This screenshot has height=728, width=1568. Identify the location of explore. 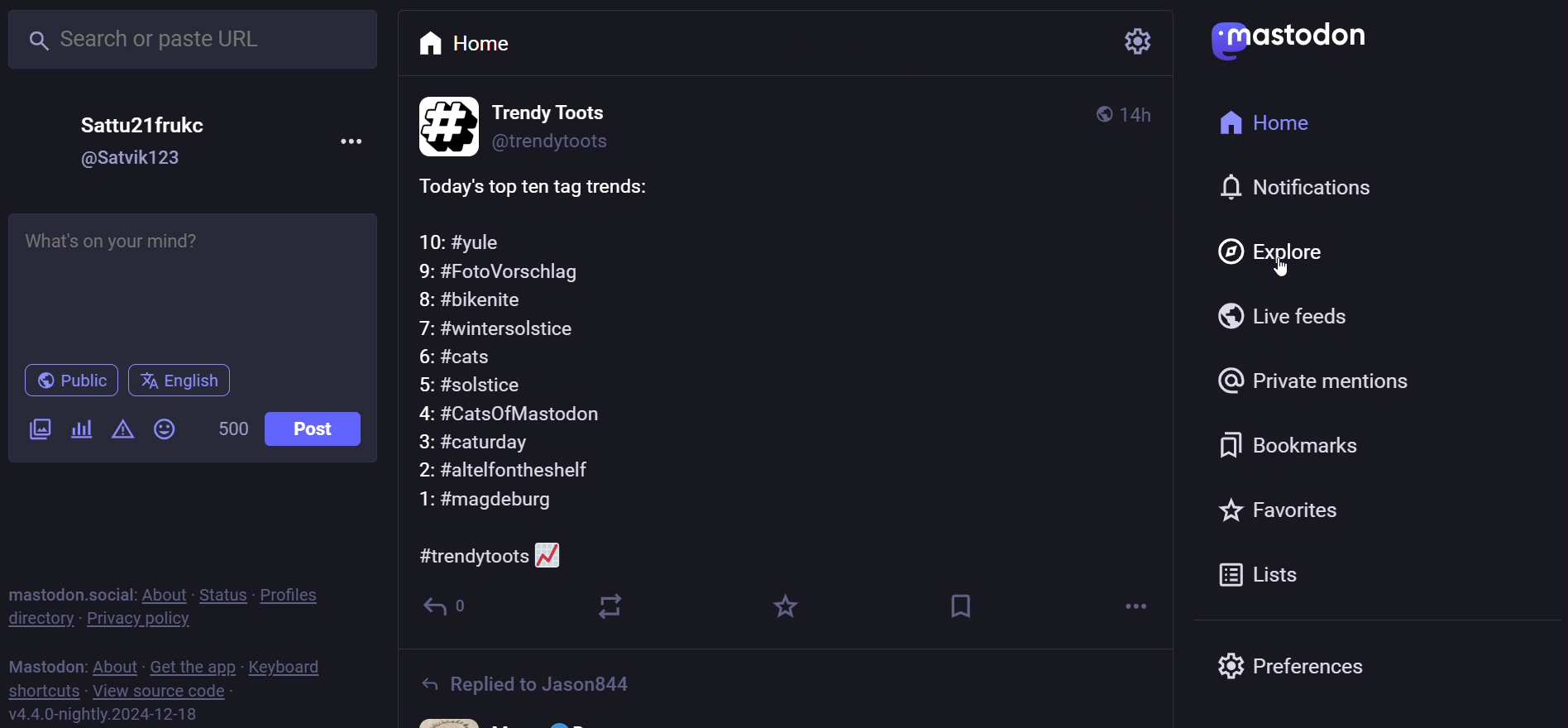
(1273, 252).